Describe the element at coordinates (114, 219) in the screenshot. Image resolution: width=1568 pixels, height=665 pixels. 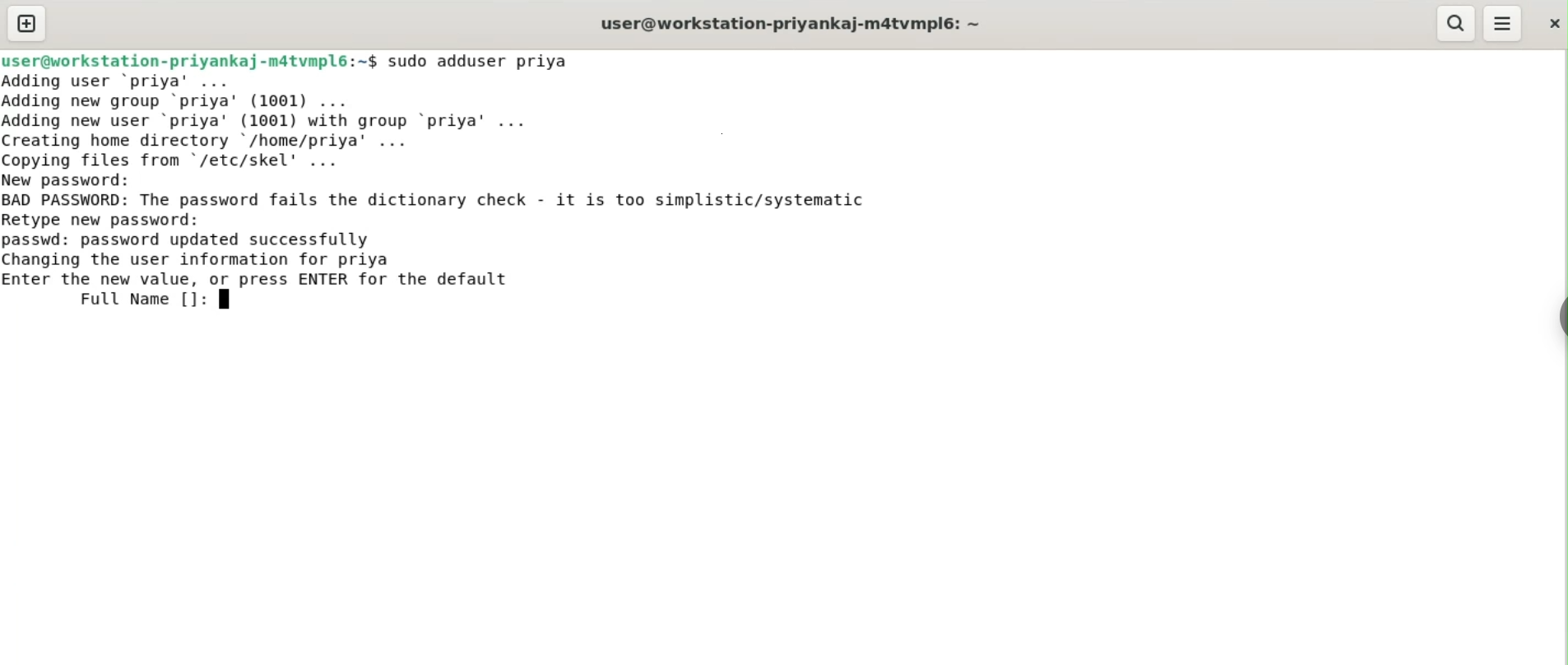
I see `retype new password` at that location.